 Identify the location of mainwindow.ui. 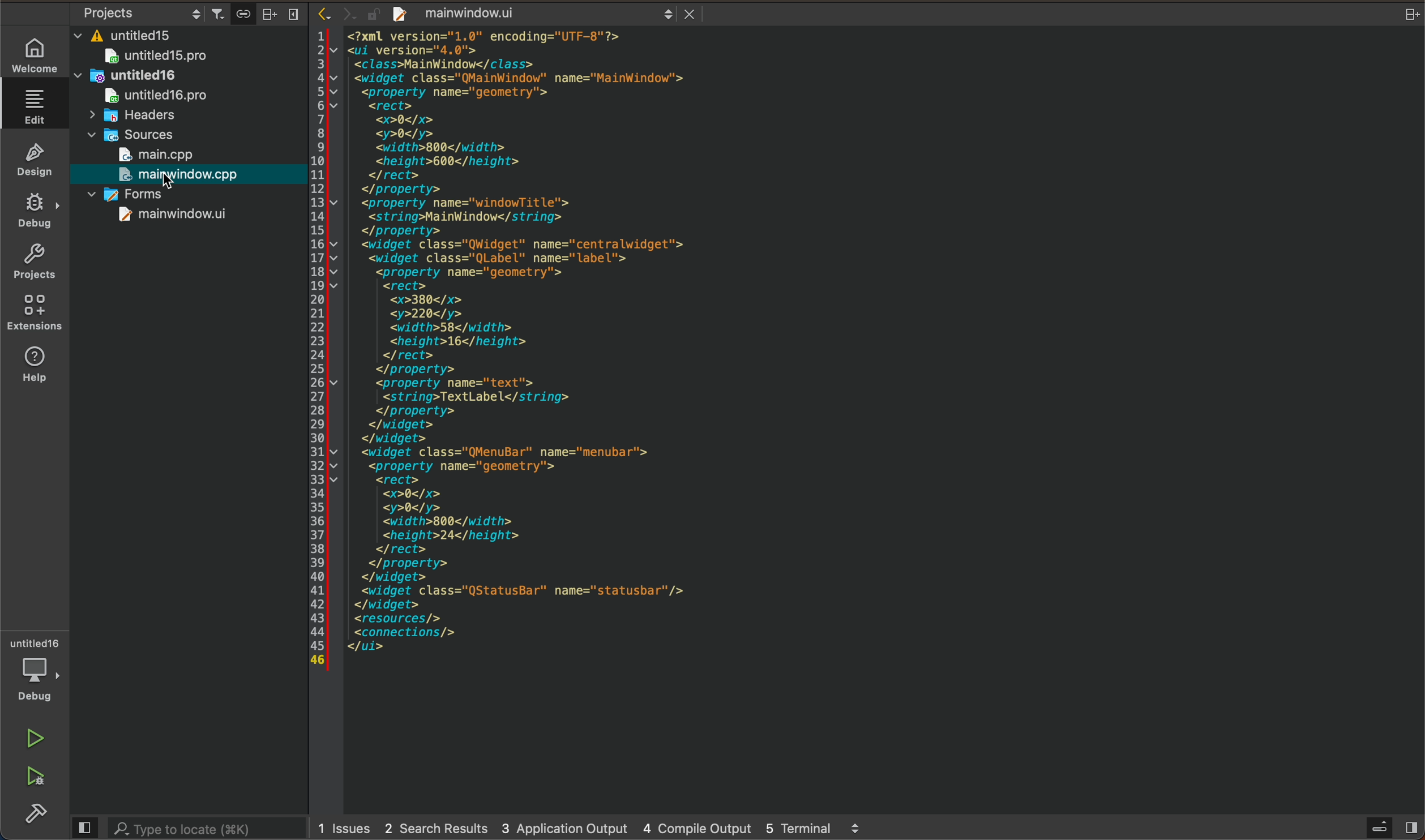
(161, 218).